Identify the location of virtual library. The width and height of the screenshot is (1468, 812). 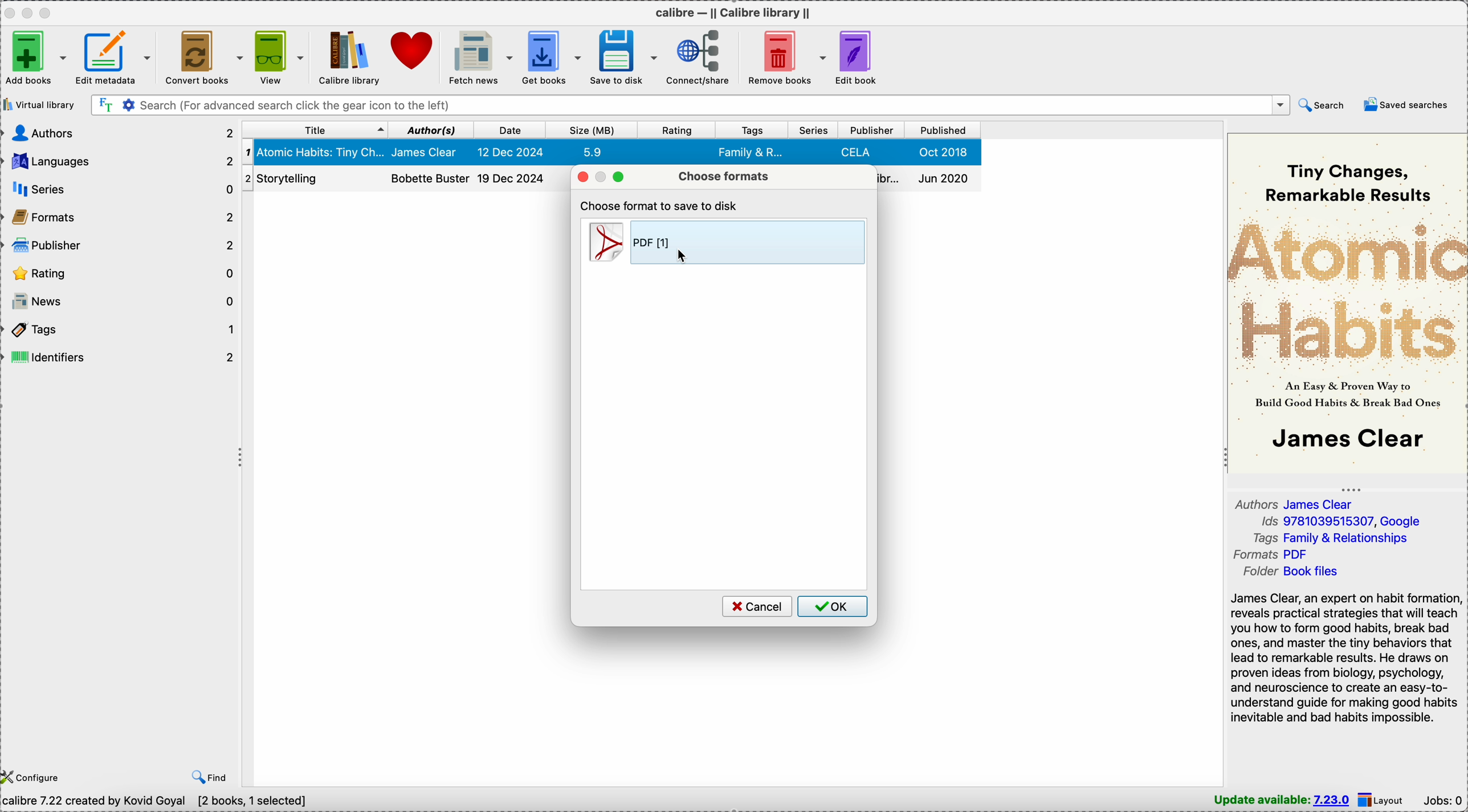
(39, 104).